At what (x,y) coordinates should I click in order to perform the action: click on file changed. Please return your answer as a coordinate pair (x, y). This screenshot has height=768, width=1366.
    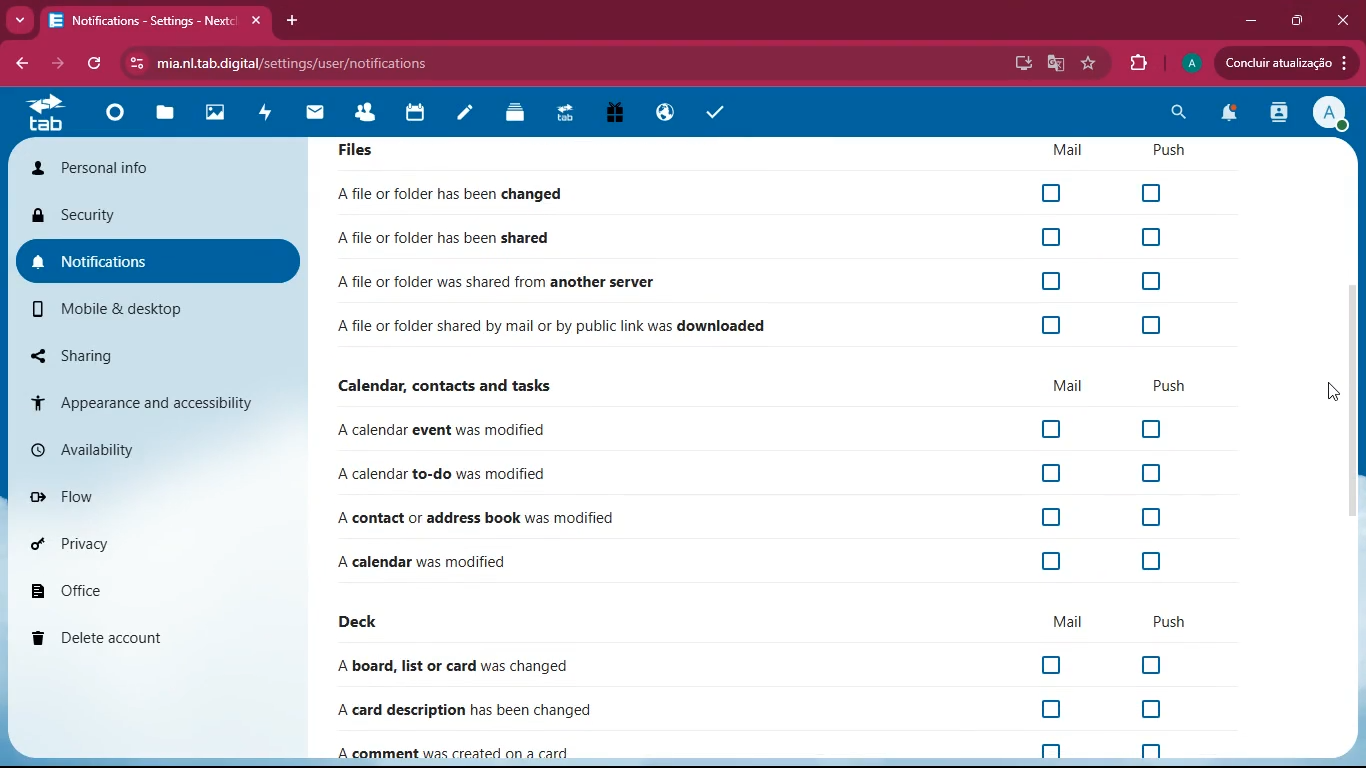
    Looking at the image, I should click on (454, 560).